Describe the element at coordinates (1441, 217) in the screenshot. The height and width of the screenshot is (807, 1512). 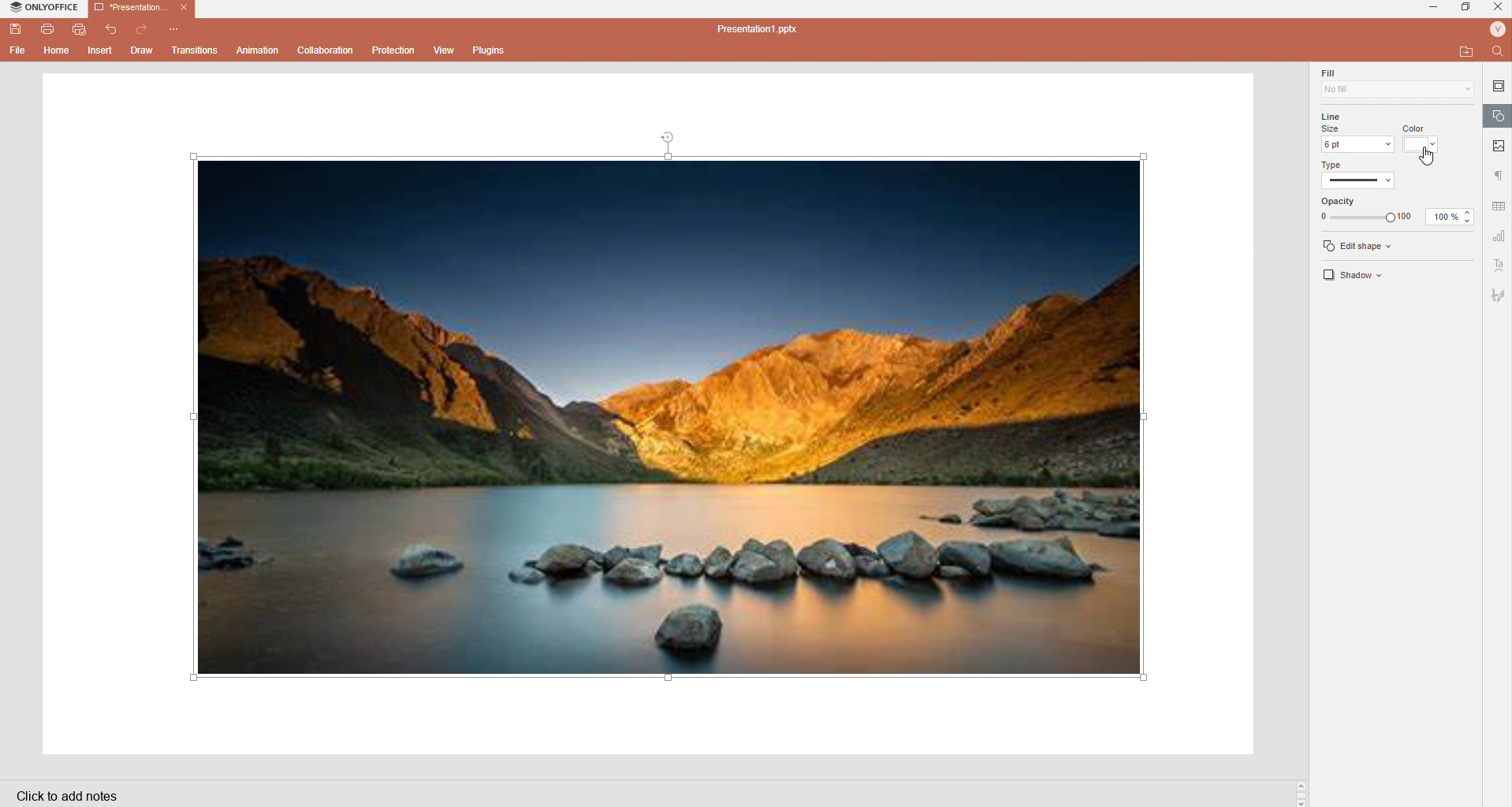
I see `100%` at that location.